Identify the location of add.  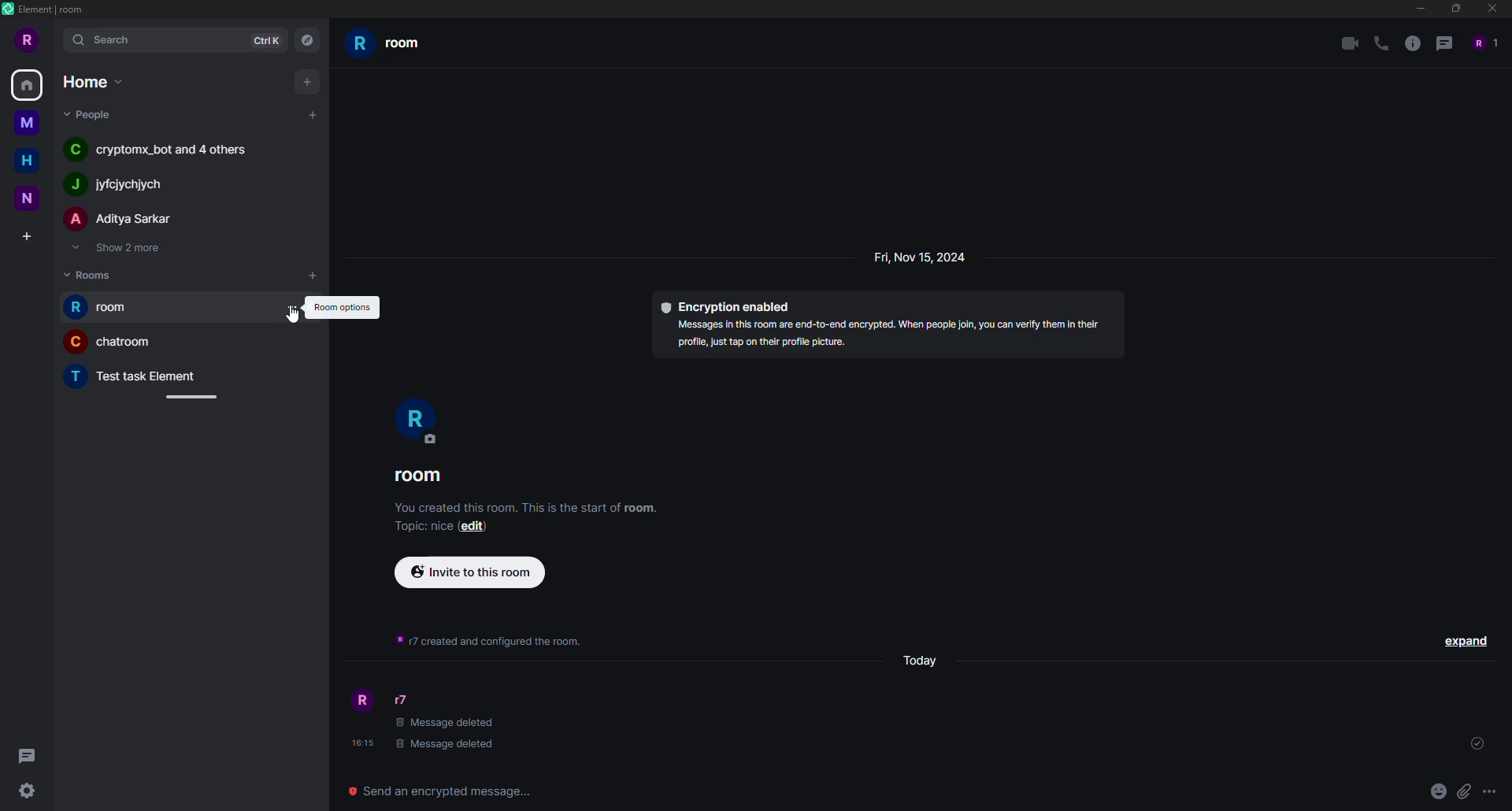
(313, 113).